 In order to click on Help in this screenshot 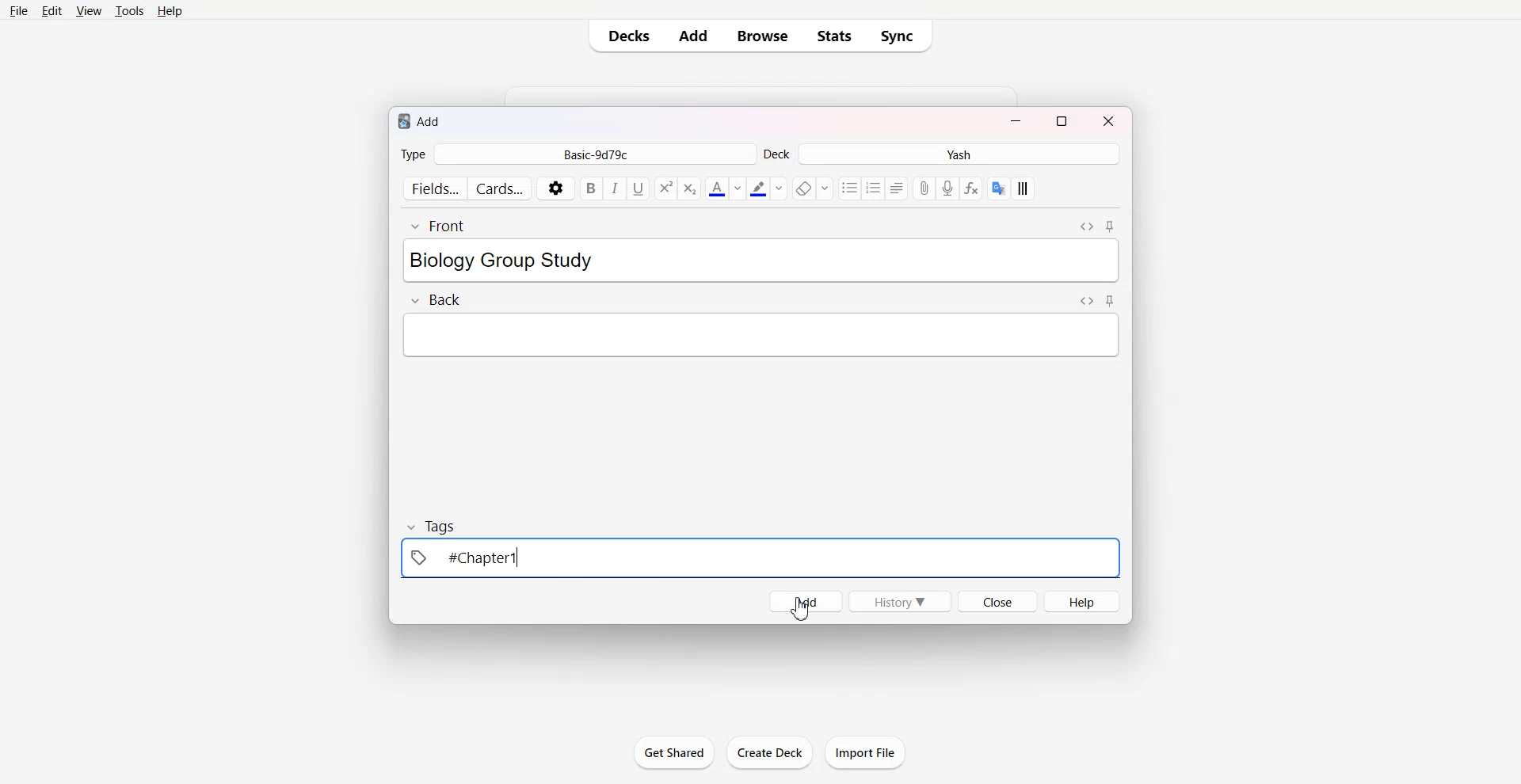, I will do `click(1081, 601)`.